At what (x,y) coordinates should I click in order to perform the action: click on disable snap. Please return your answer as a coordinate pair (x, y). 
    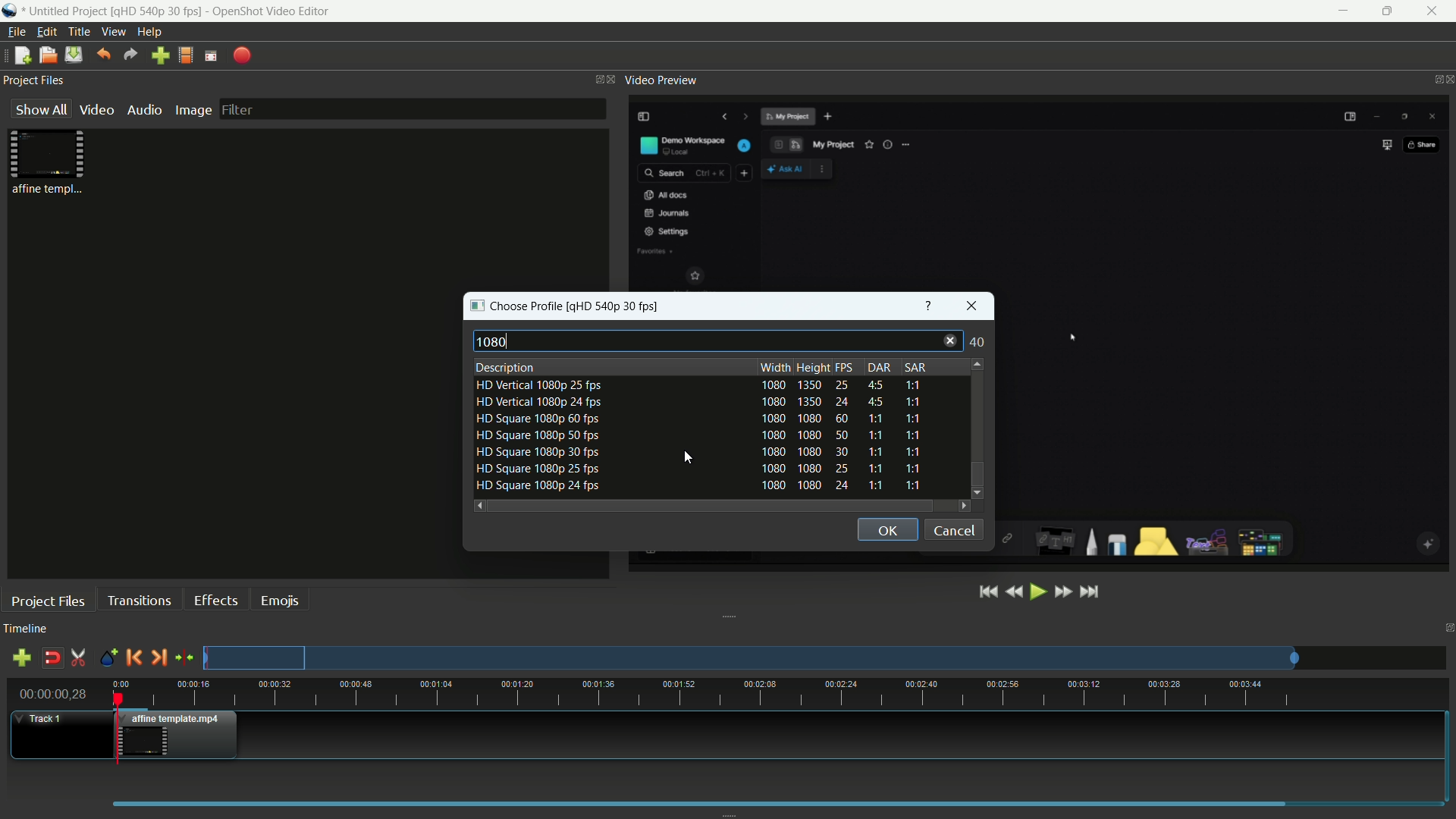
    Looking at the image, I should click on (52, 657).